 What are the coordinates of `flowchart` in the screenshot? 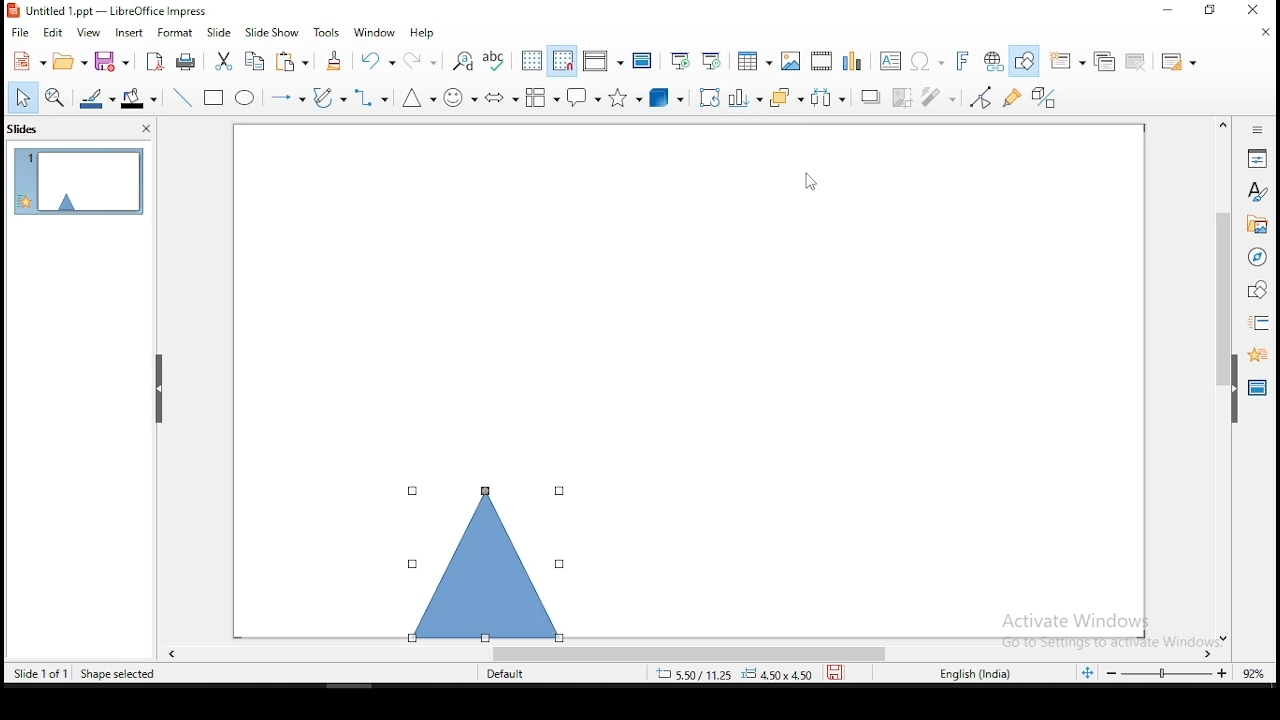 It's located at (543, 97).